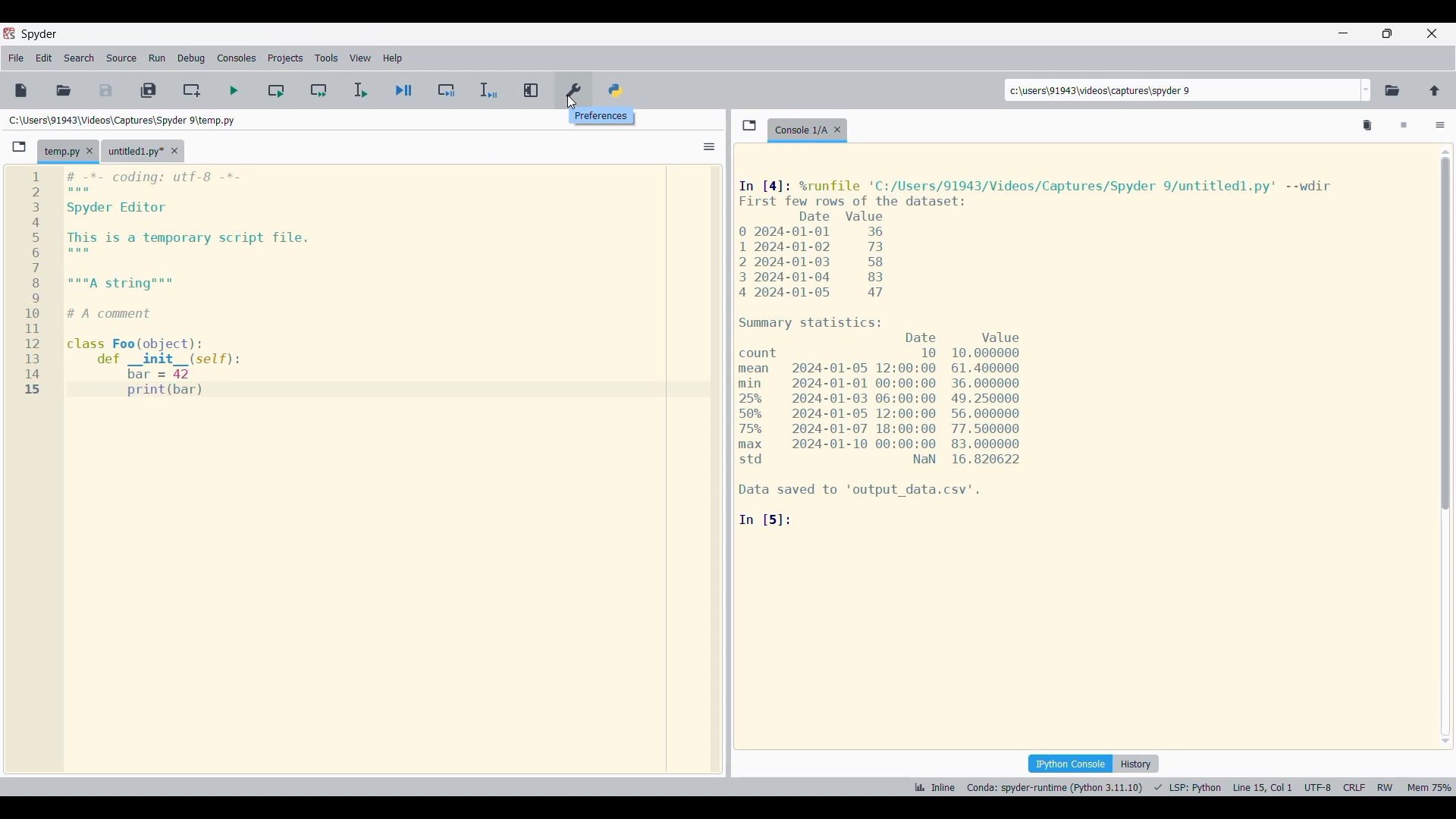 The height and width of the screenshot is (819, 1456). What do you see at coordinates (105, 89) in the screenshot?
I see `Save` at bounding box center [105, 89].